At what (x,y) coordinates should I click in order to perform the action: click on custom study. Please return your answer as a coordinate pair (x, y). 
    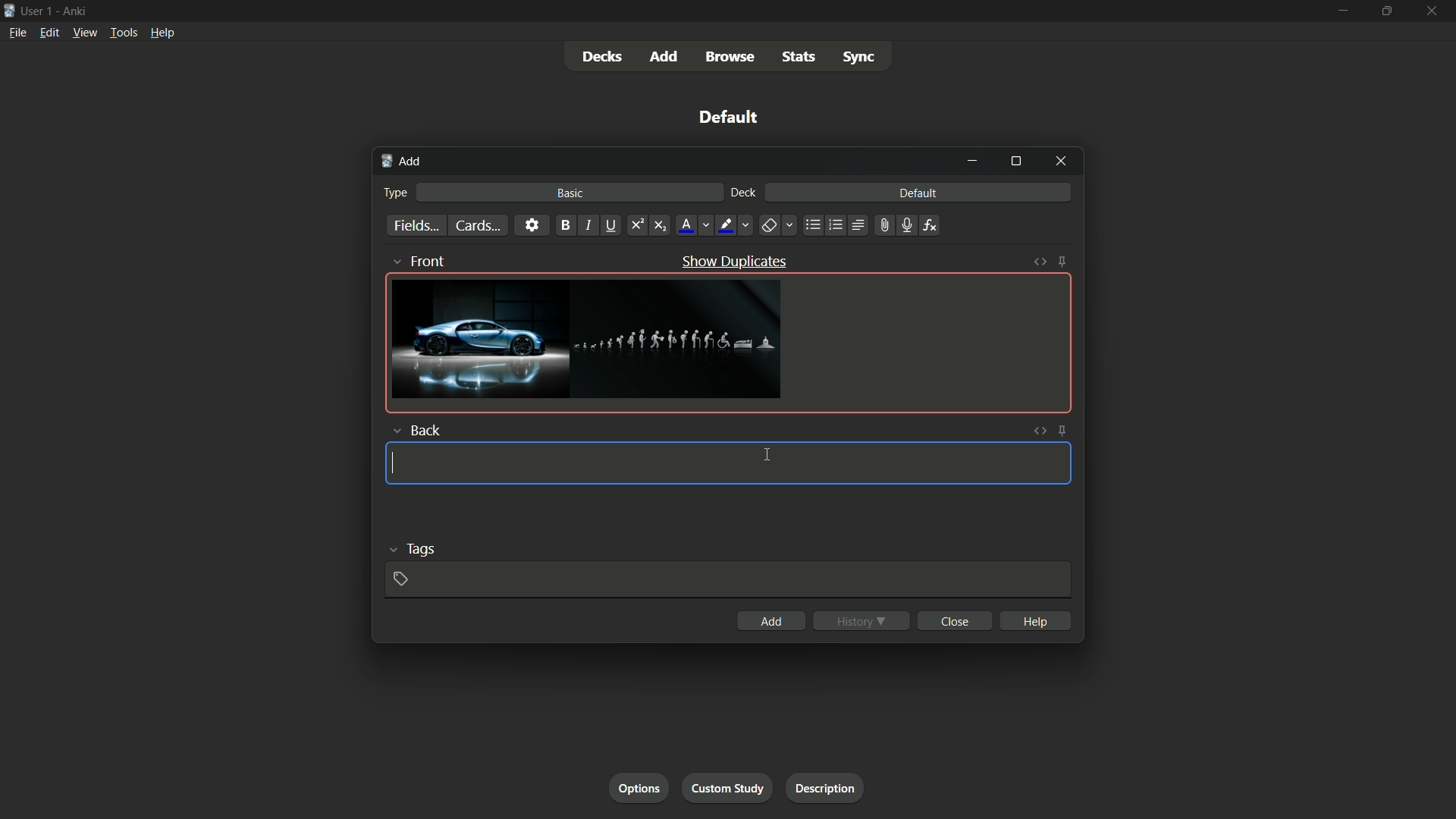
    Looking at the image, I should click on (730, 786).